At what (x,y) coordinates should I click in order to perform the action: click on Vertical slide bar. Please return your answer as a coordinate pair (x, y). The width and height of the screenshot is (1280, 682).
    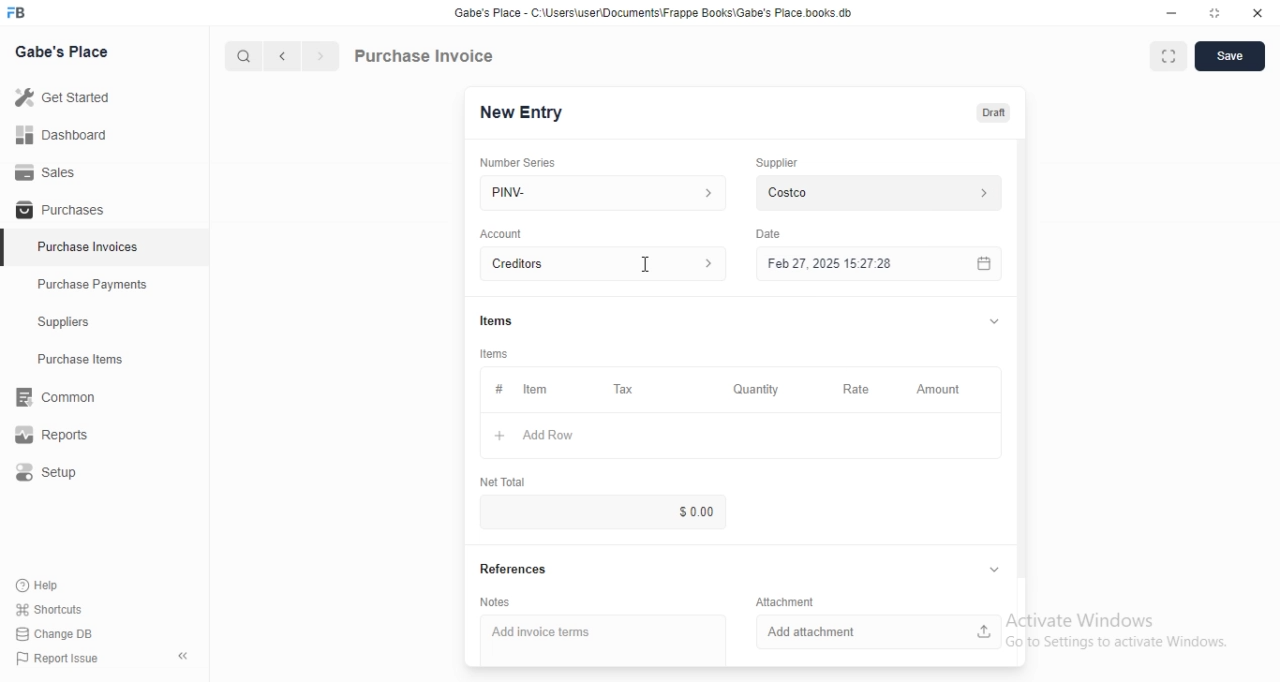
    Looking at the image, I should click on (1022, 365).